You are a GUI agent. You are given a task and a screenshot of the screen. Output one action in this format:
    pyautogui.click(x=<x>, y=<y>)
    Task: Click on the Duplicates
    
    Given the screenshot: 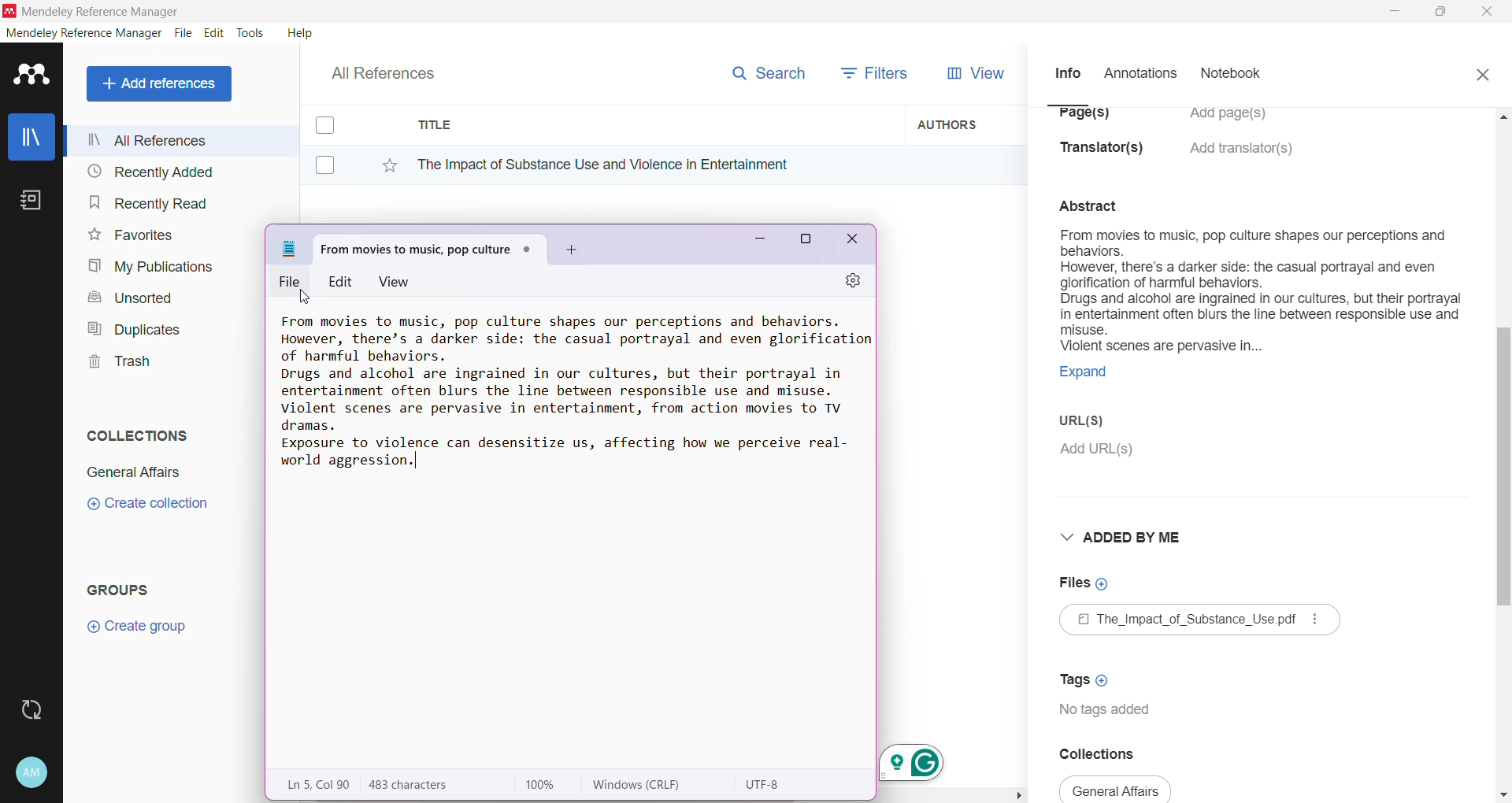 What is the action you would take?
    pyautogui.click(x=129, y=327)
    